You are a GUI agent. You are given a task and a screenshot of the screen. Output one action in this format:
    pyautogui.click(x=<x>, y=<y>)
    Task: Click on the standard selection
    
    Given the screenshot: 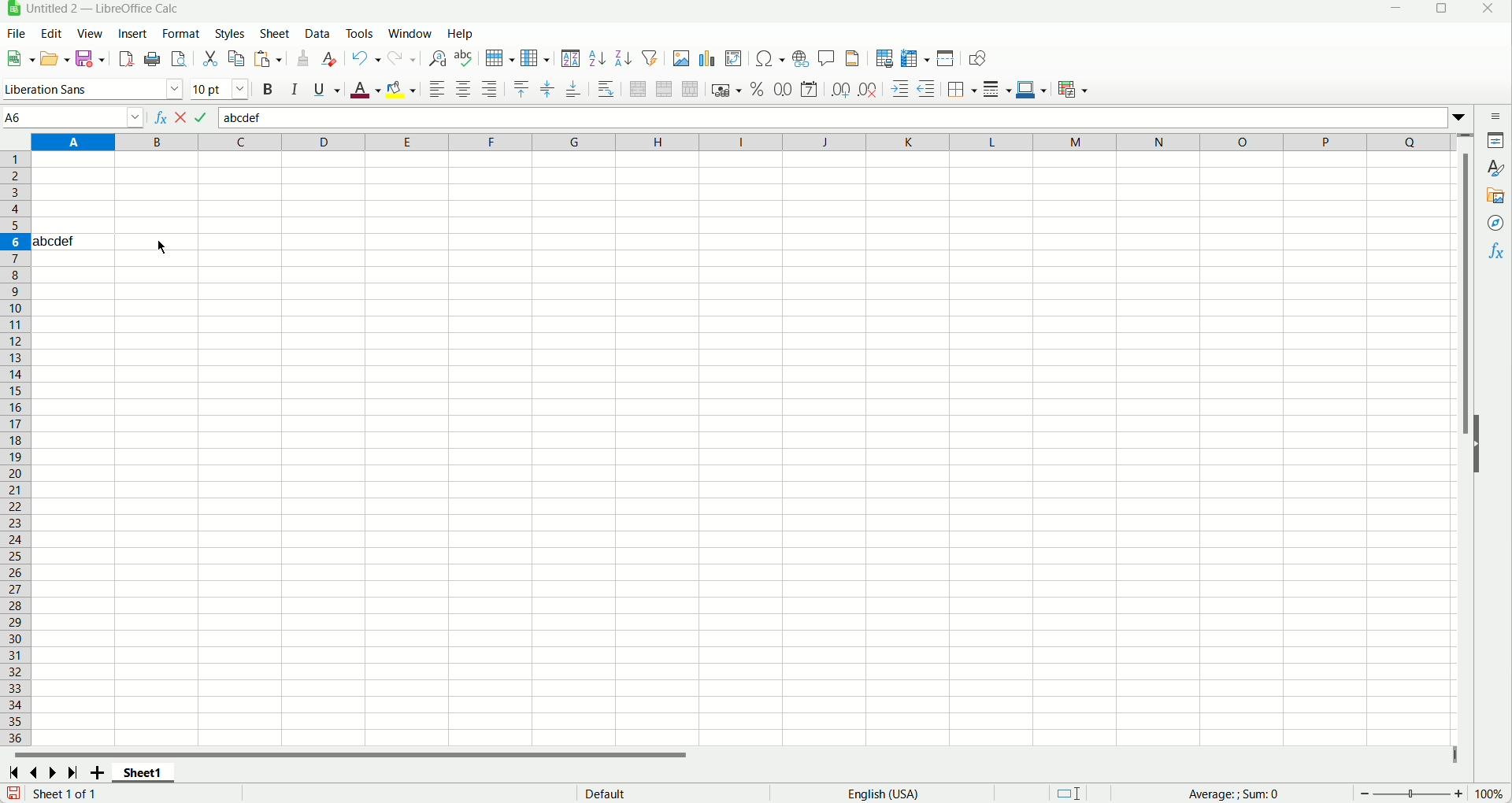 What is the action you would take?
    pyautogui.click(x=1069, y=792)
    